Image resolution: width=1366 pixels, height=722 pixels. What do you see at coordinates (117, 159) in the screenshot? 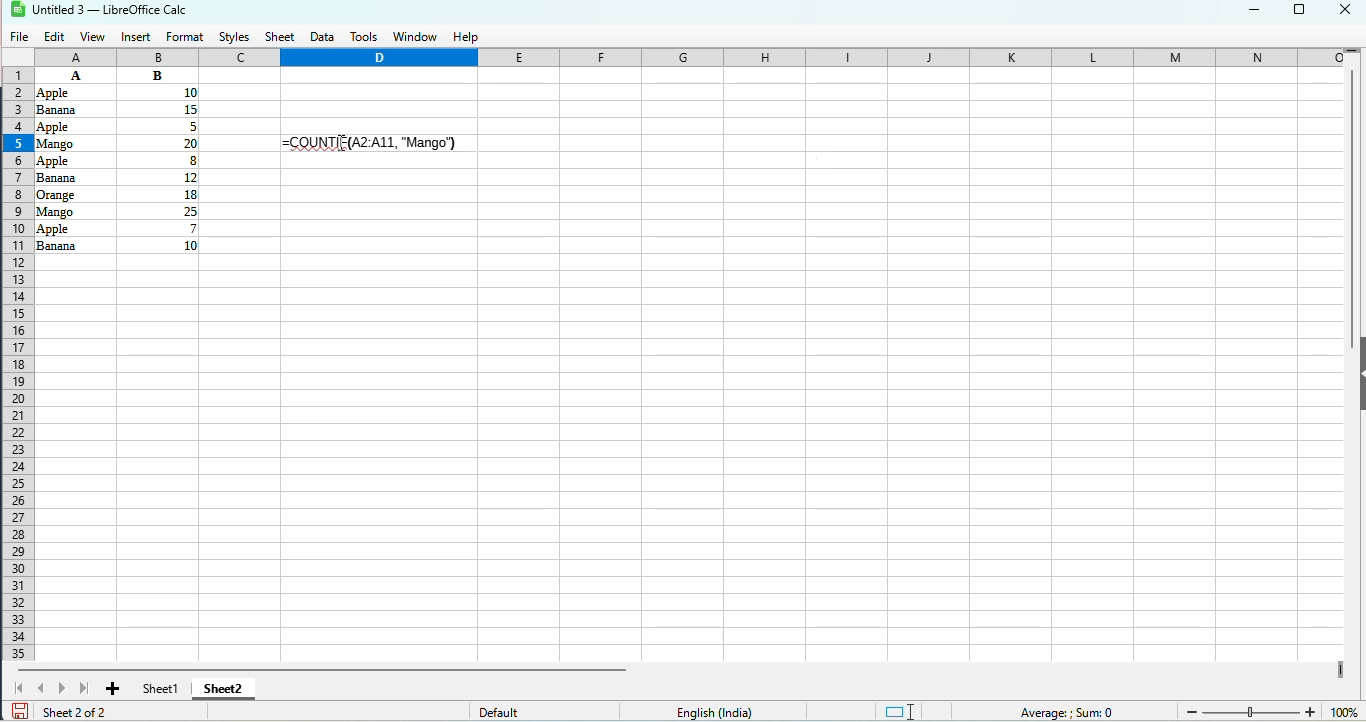
I see `data` at bounding box center [117, 159].